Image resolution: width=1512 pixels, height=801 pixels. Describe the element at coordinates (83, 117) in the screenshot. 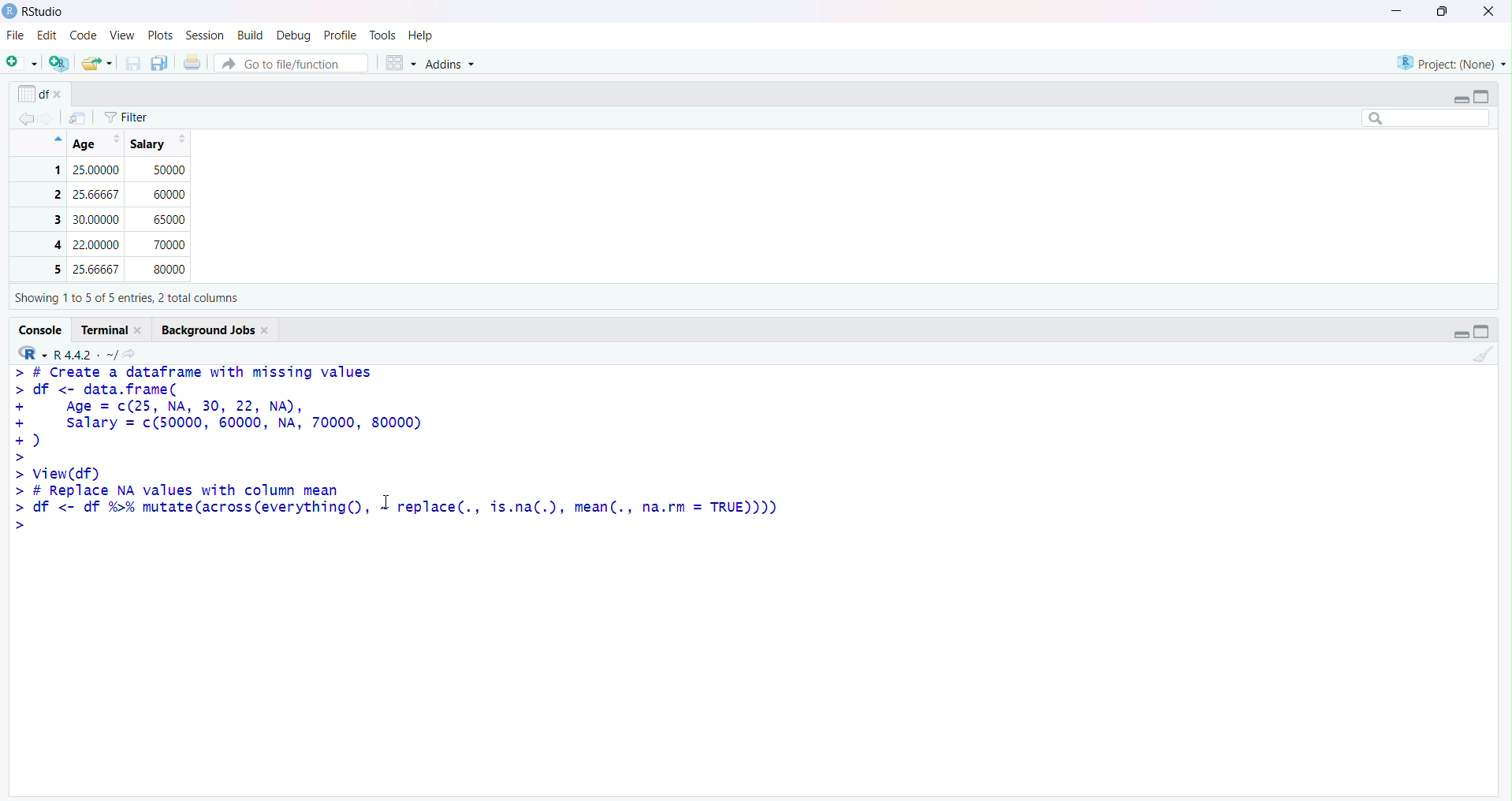

I see `Show in new window` at that location.